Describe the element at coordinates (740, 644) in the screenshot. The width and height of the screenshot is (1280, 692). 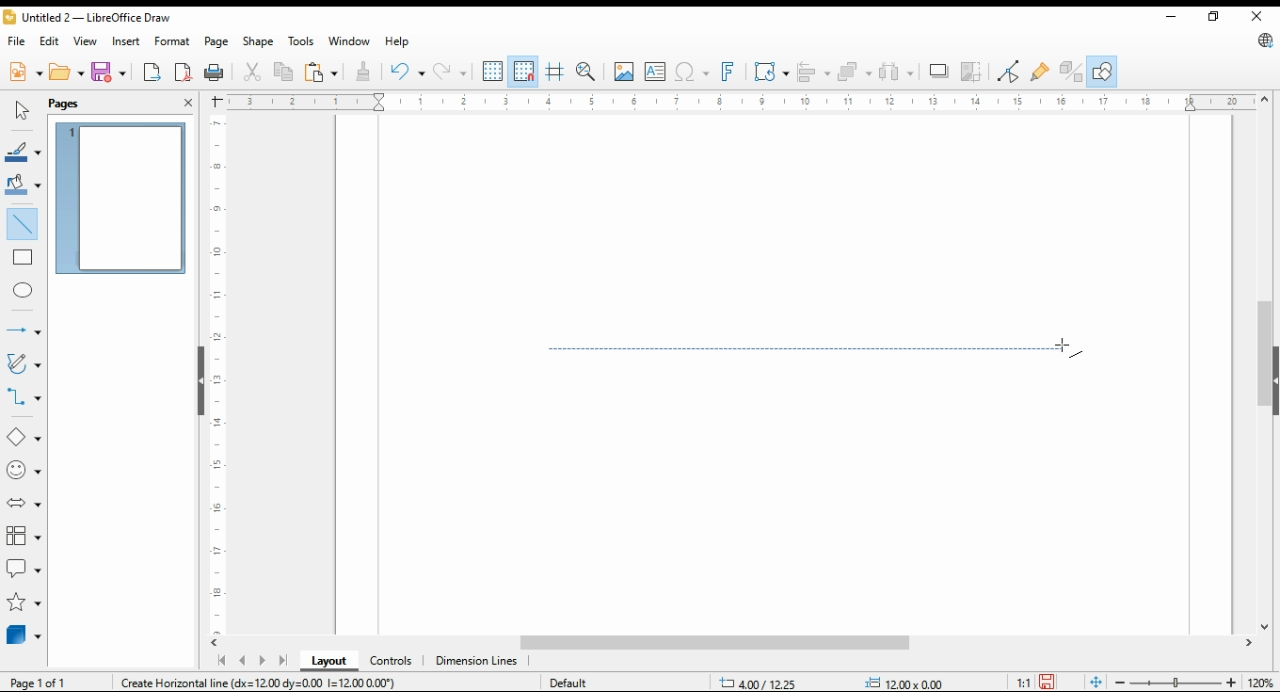
I see `scroll bar` at that location.